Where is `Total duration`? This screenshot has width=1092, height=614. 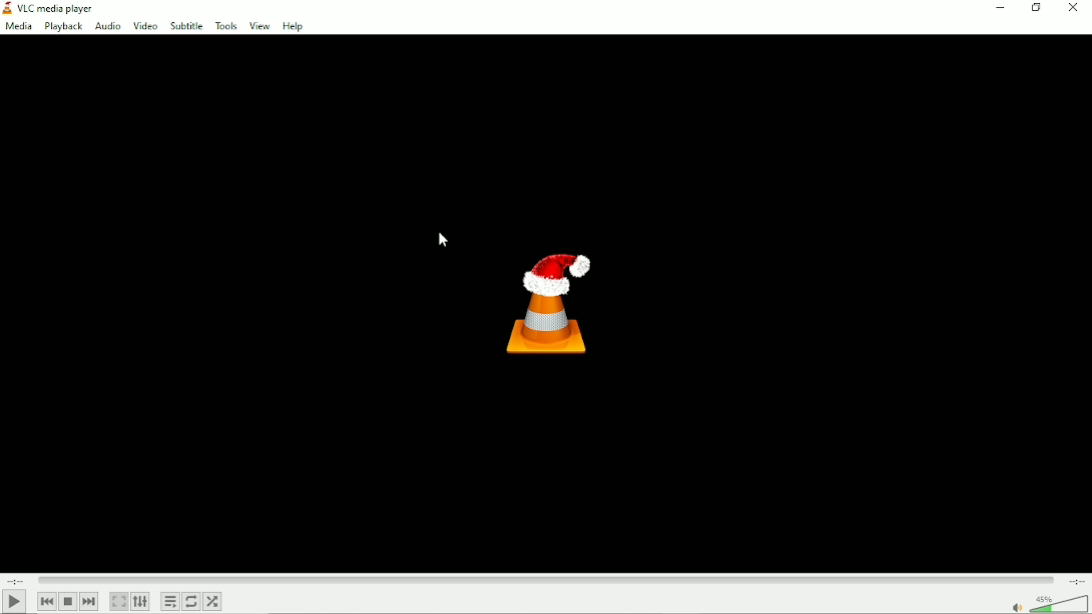
Total duration is located at coordinates (1077, 581).